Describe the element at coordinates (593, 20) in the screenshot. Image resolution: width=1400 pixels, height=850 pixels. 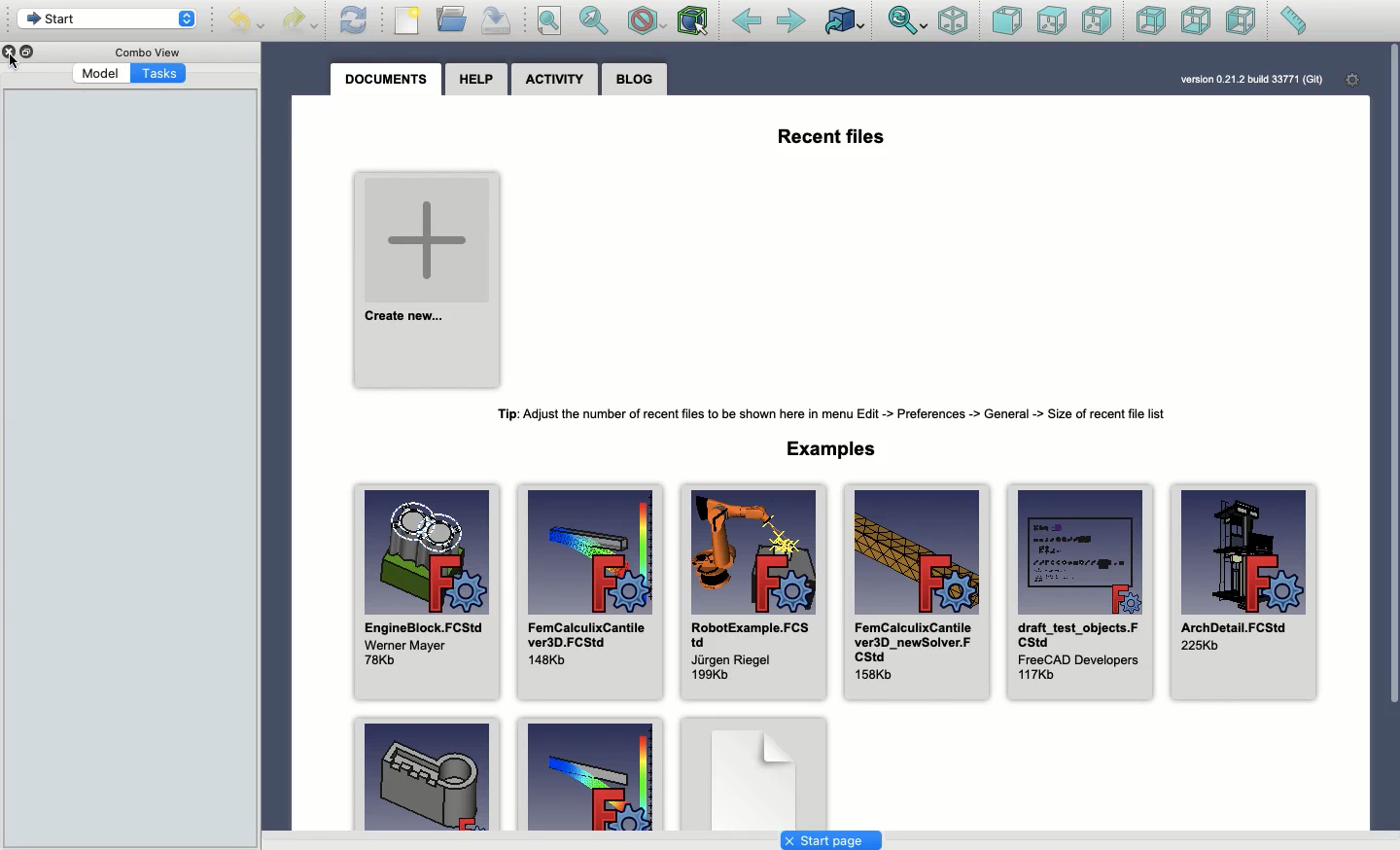
I see `Fit selection` at that location.